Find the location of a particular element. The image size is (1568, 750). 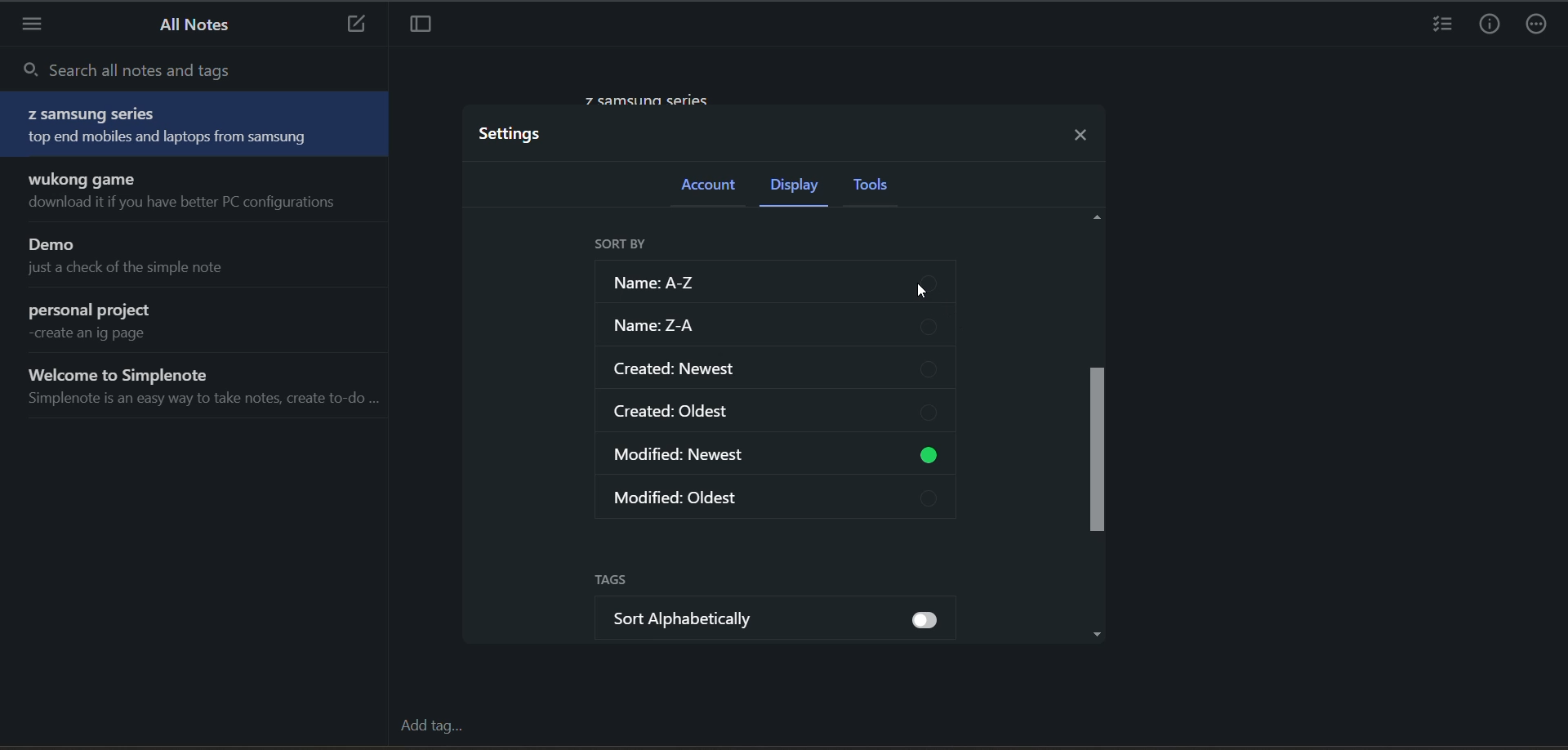

created: oldest is located at coordinates (782, 415).